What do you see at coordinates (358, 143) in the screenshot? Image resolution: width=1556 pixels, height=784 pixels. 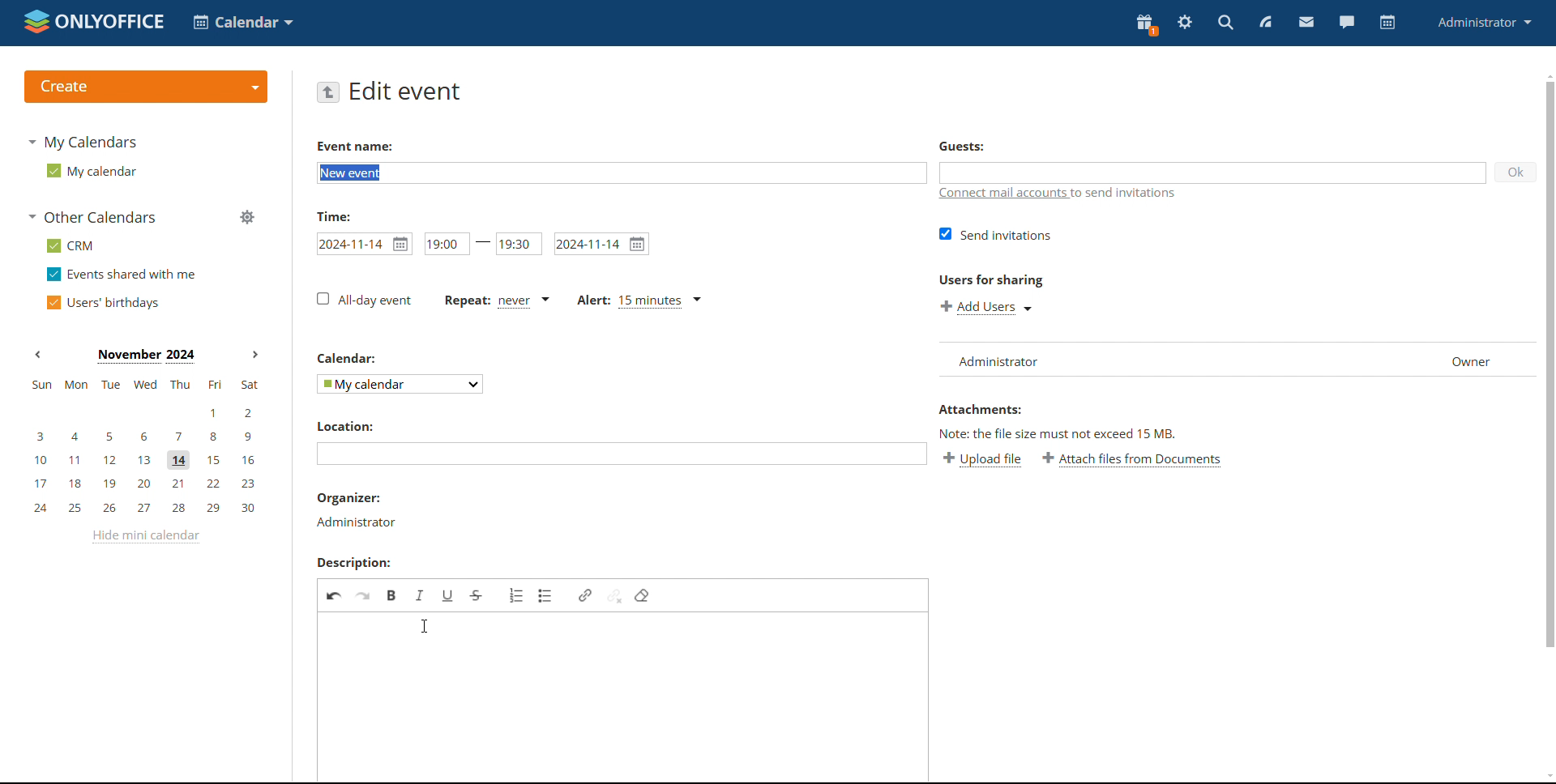 I see `event name` at bounding box center [358, 143].